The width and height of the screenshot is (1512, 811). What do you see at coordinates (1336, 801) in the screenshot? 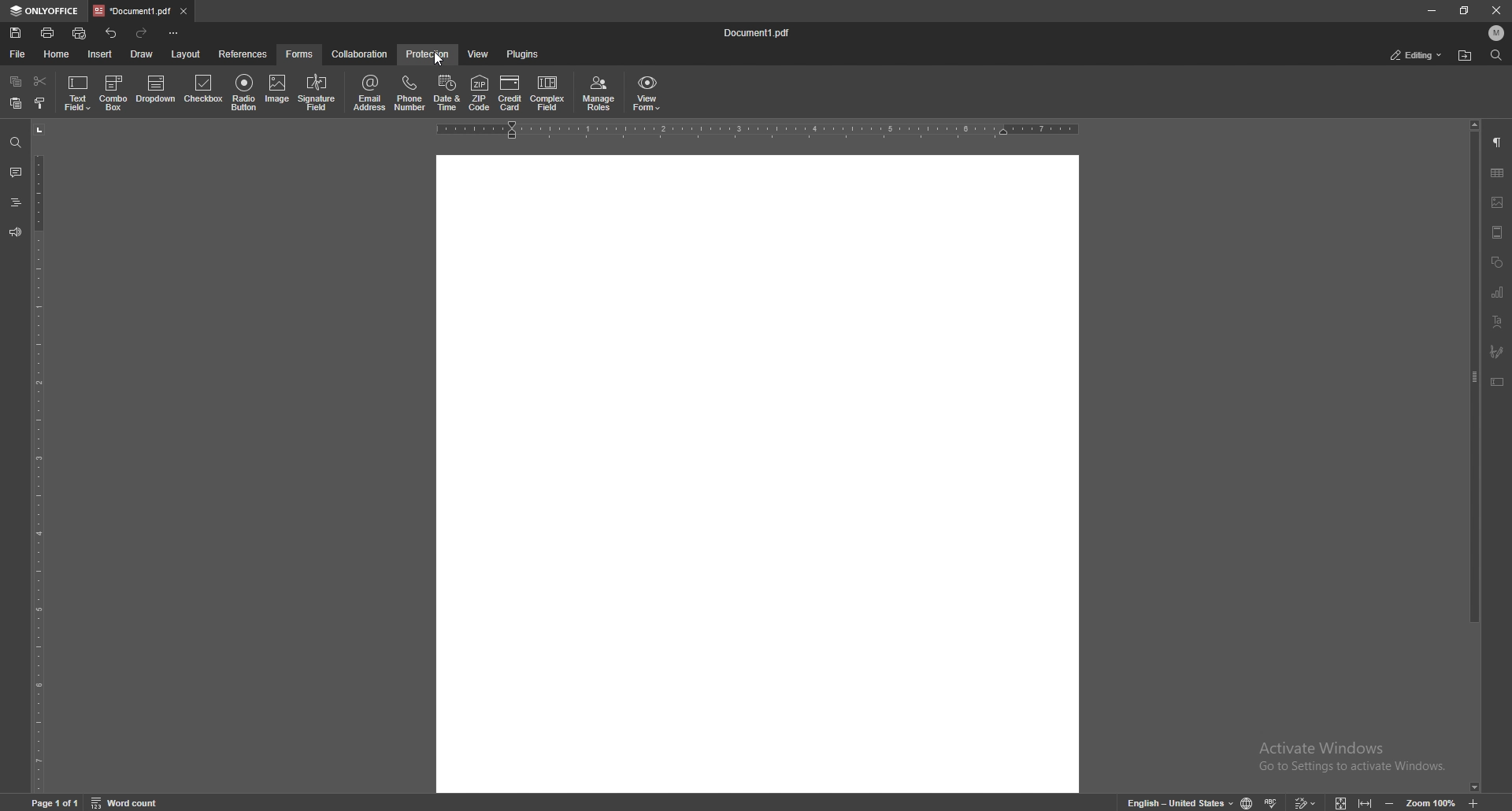
I see `fit to screen` at bounding box center [1336, 801].